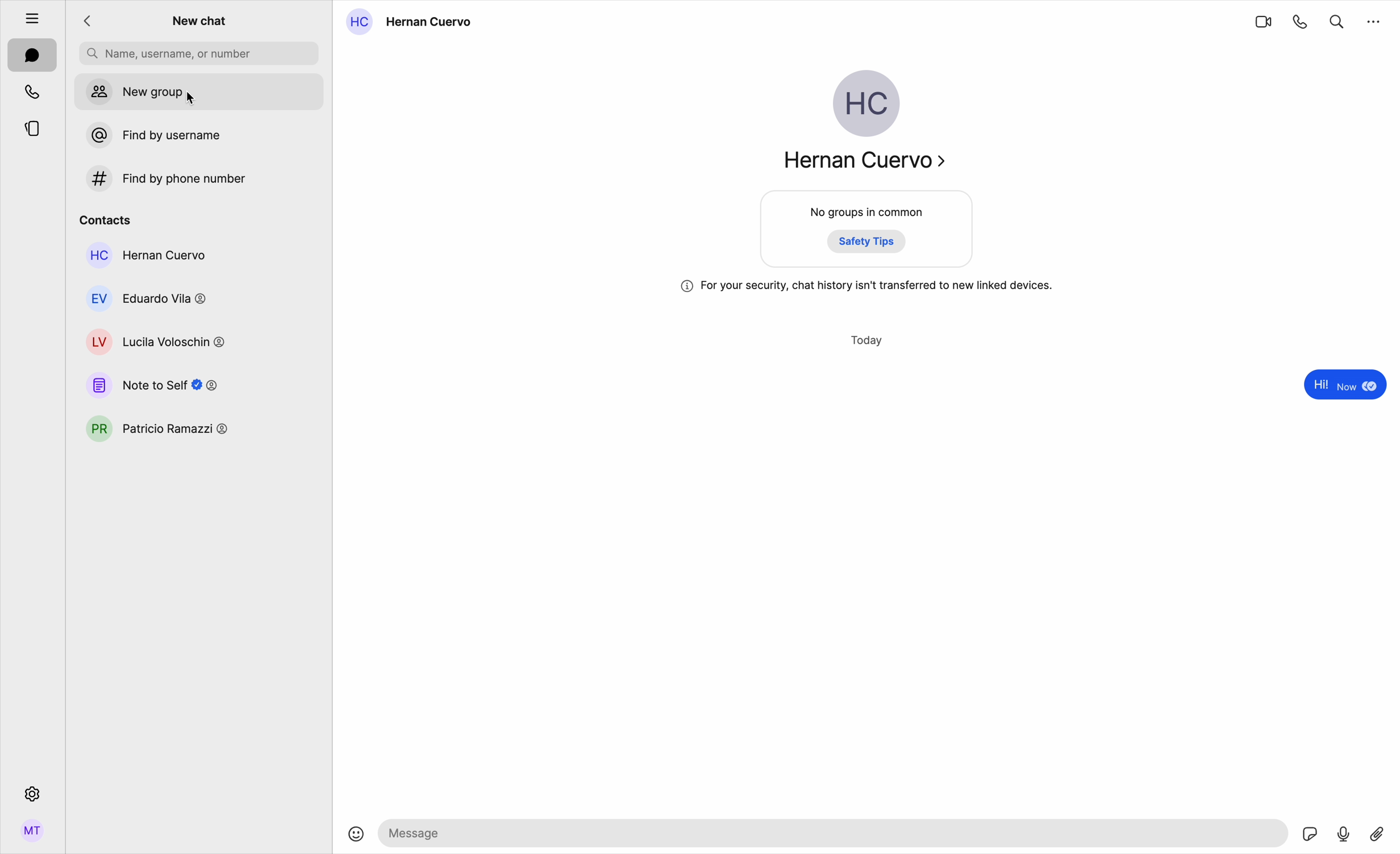 This screenshot has width=1400, height=854. Describe the element at coordinates (26, 15) in the screenshot. I see `hide tabs` at that location.